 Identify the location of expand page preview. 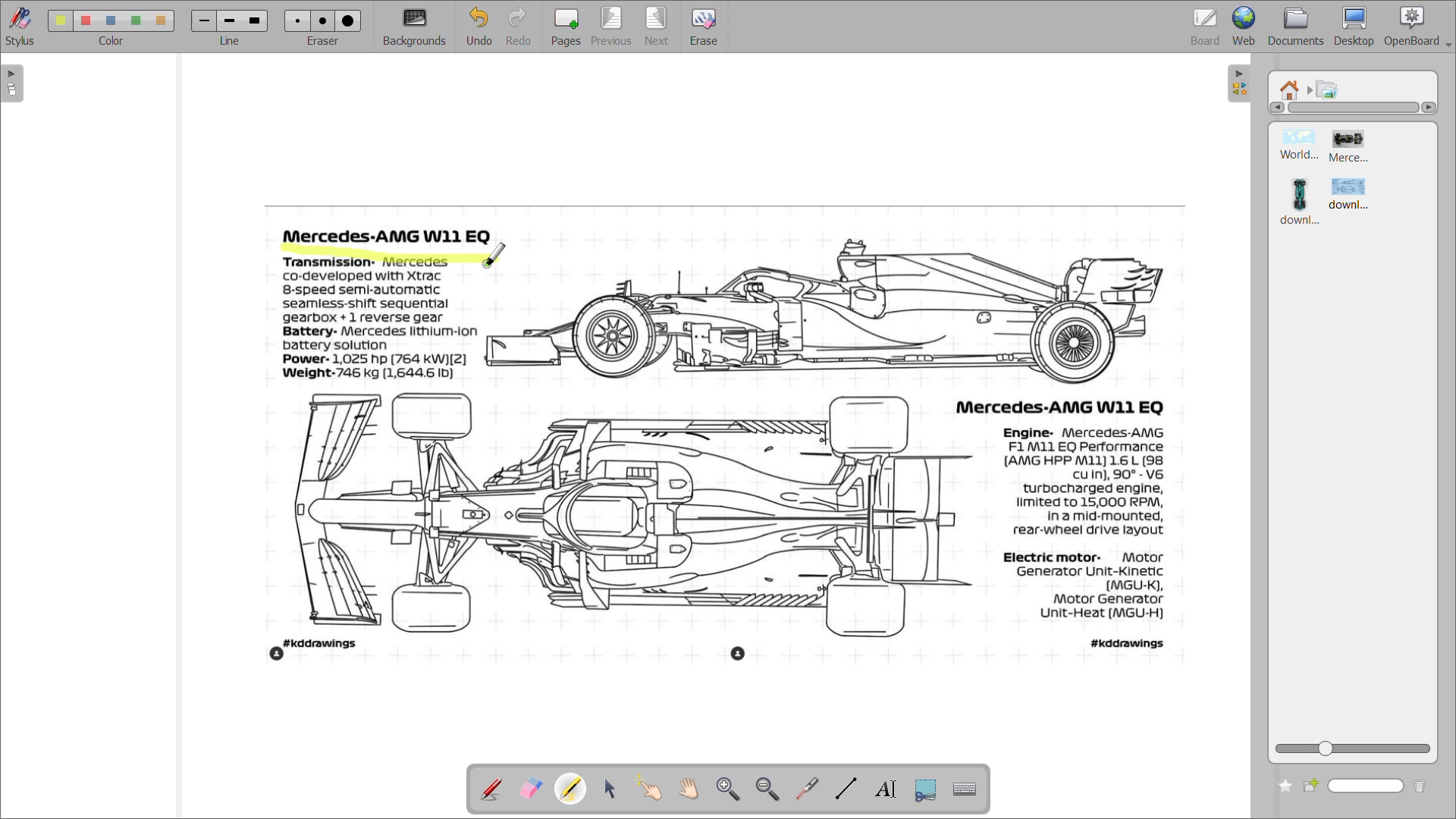
(13, 83).